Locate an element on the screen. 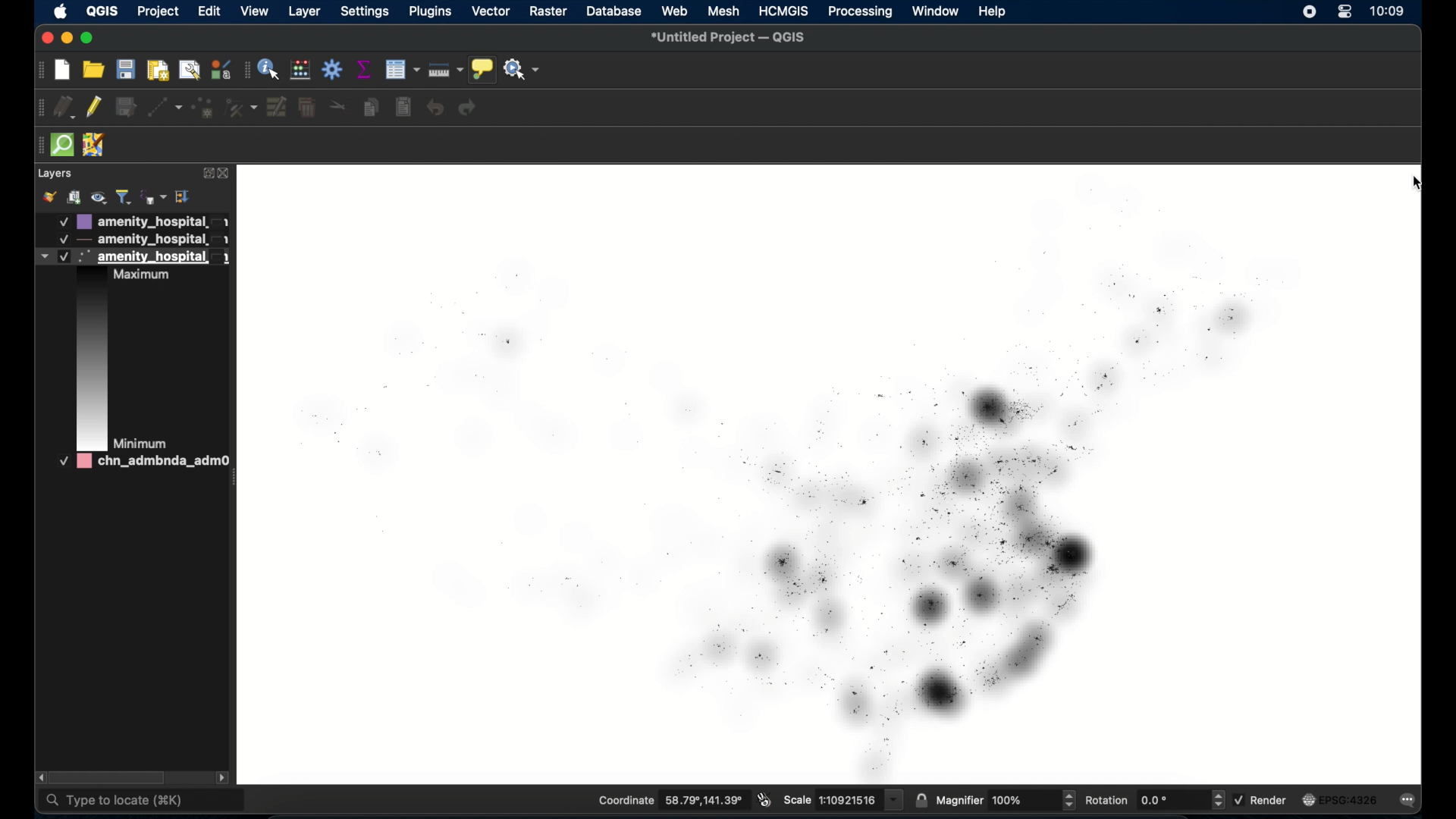 This screenshot has height=819, width=1456. current edits is located at coordinates (64, 106).